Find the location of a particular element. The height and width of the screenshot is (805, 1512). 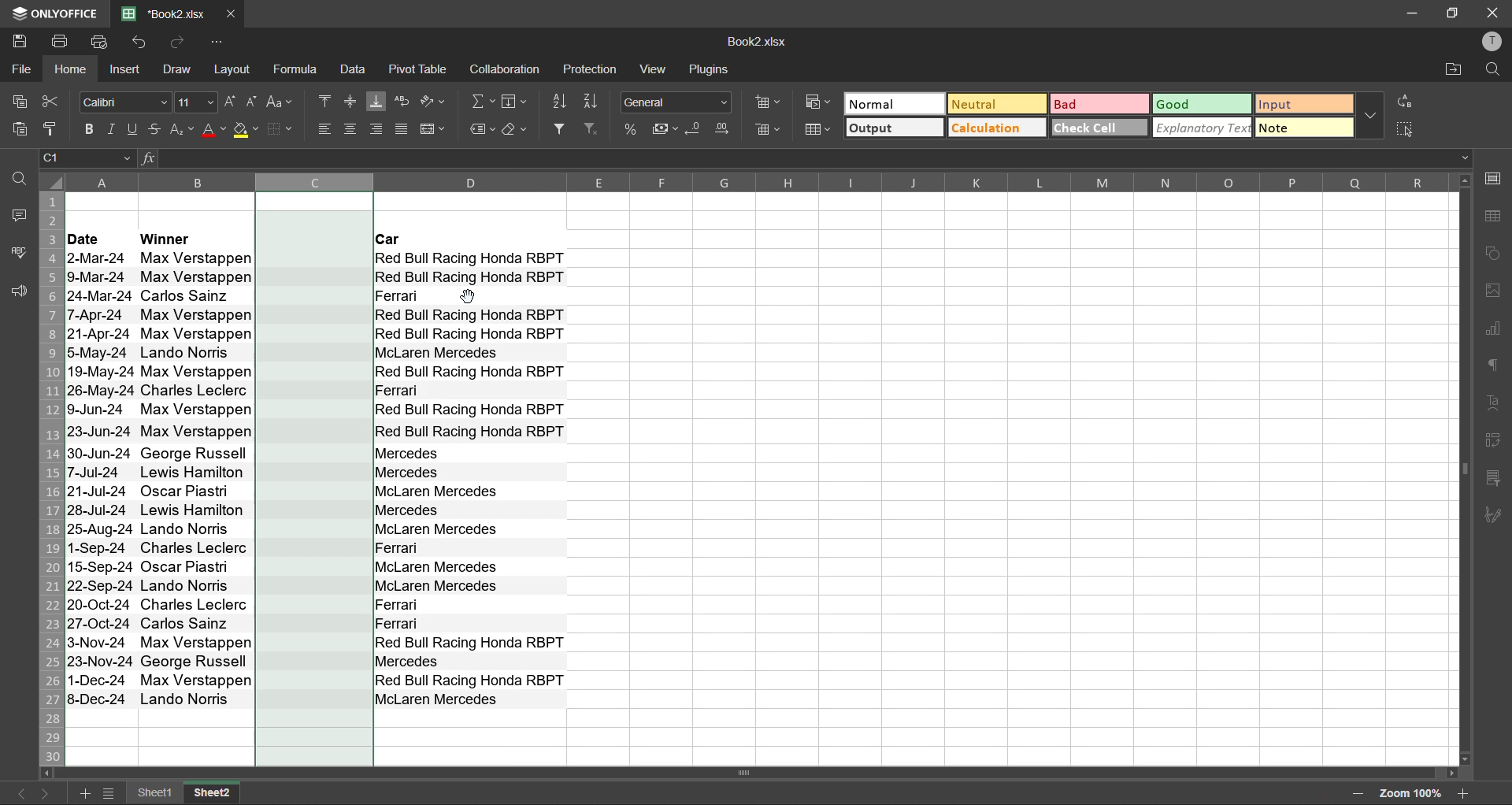

Book2.xlsx is located at coordinates (758, 43).